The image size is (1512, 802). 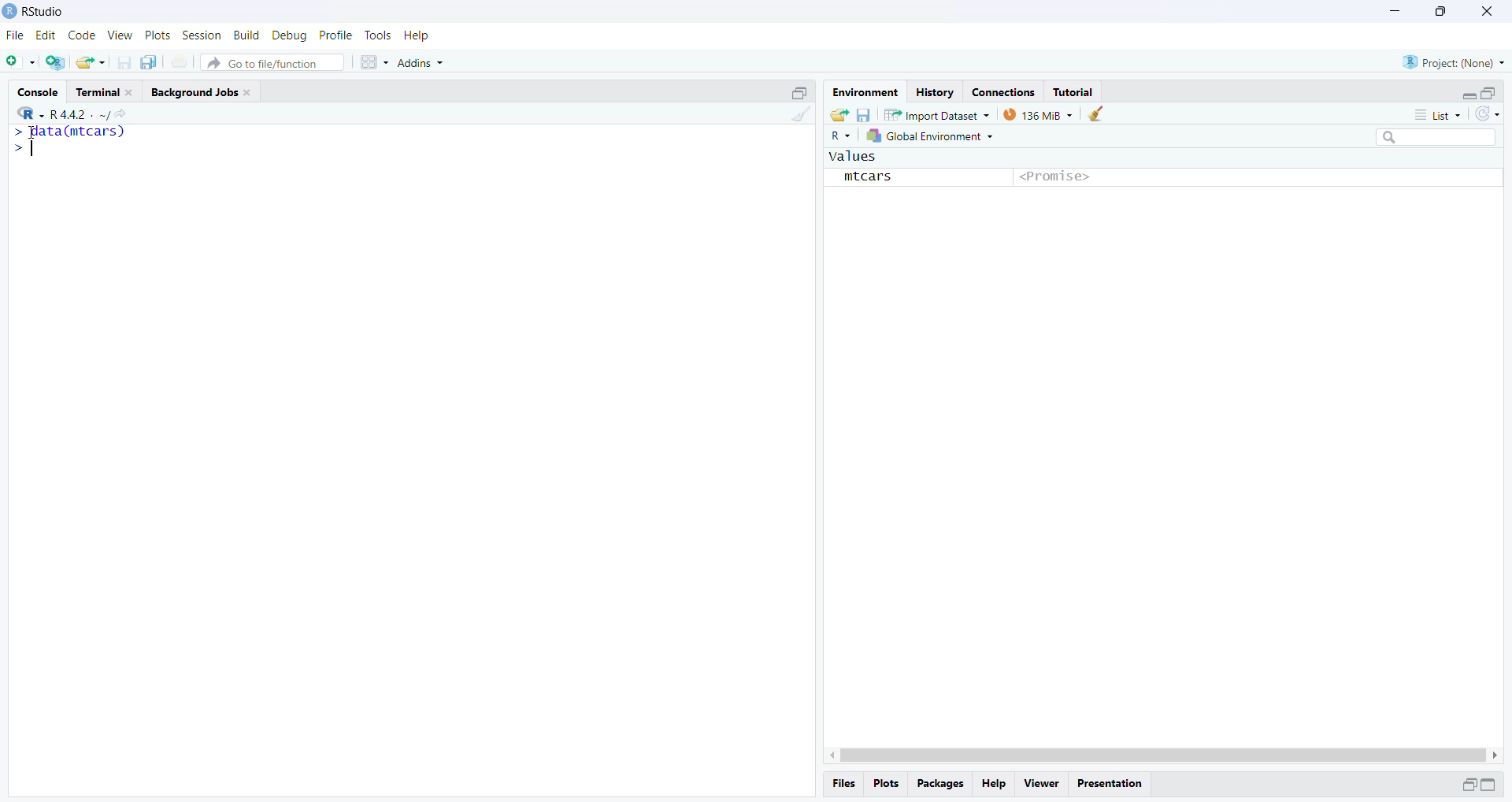 I want to click on Refresh the list of objects in the environment, so click(x=1488, y=115).